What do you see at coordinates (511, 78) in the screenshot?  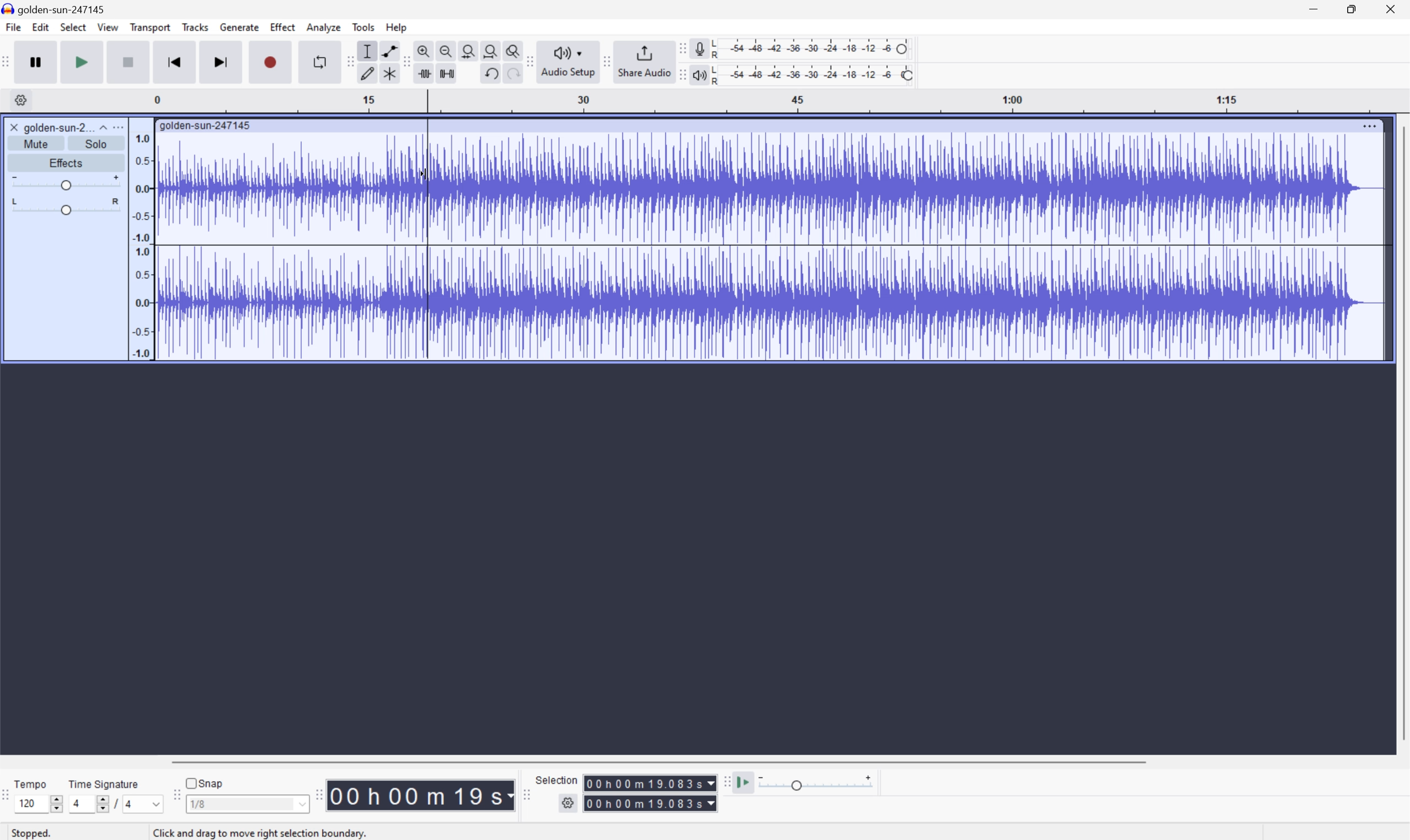 I see `Redo` at bounding box center [511, 78].